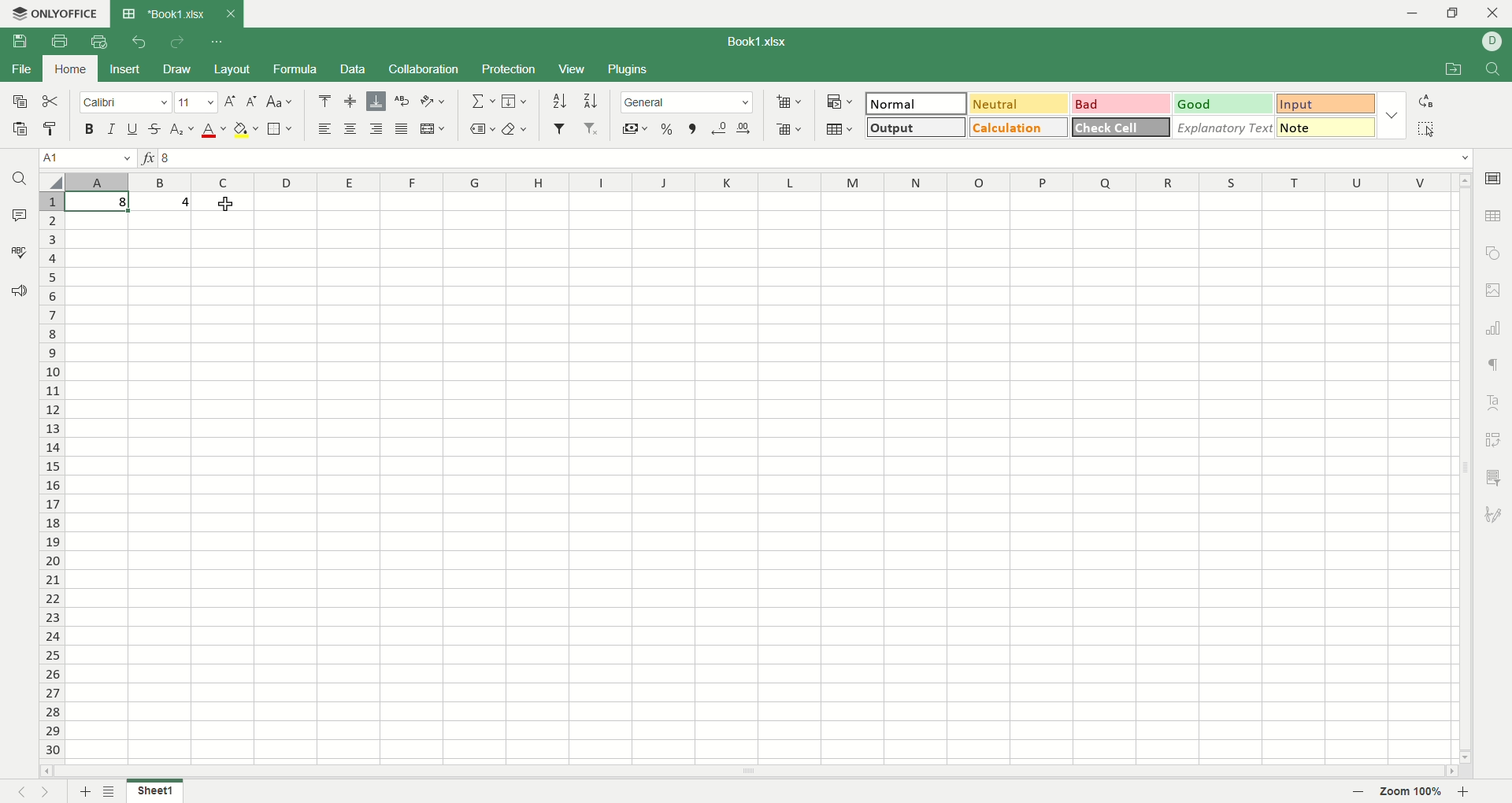  I want to click on output, so click(917, 128).